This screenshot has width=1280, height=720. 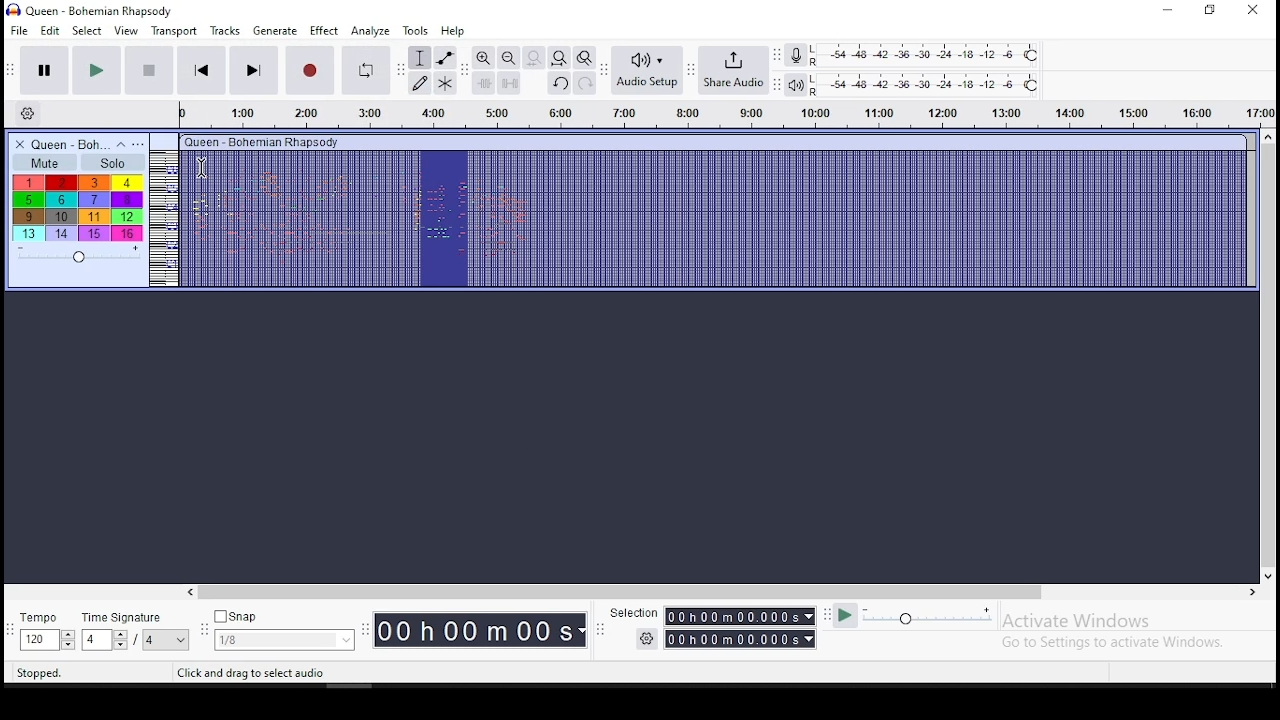 I want to click on scroll bar, so click(x=1272, y=353).